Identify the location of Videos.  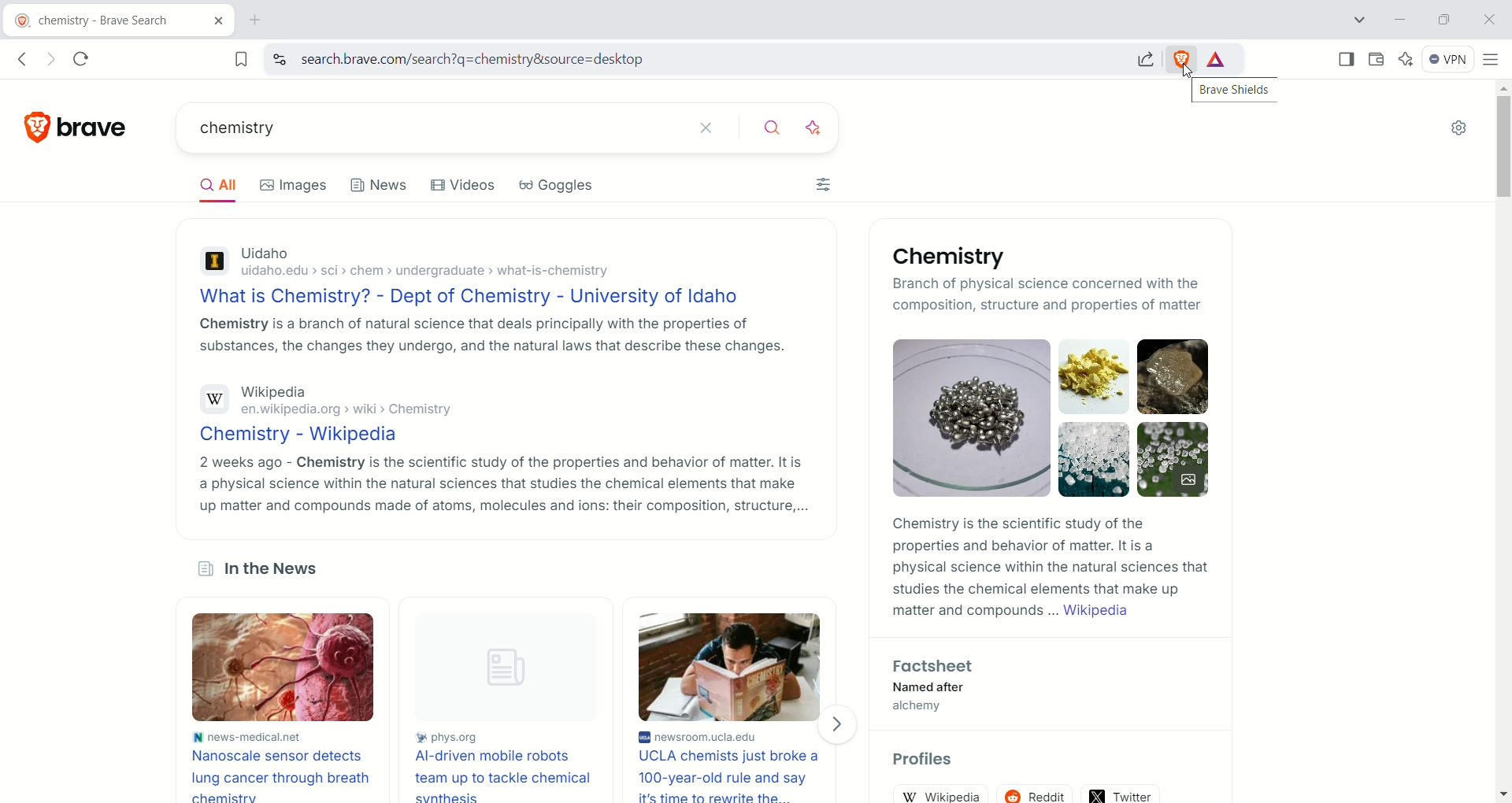
(467, 184).